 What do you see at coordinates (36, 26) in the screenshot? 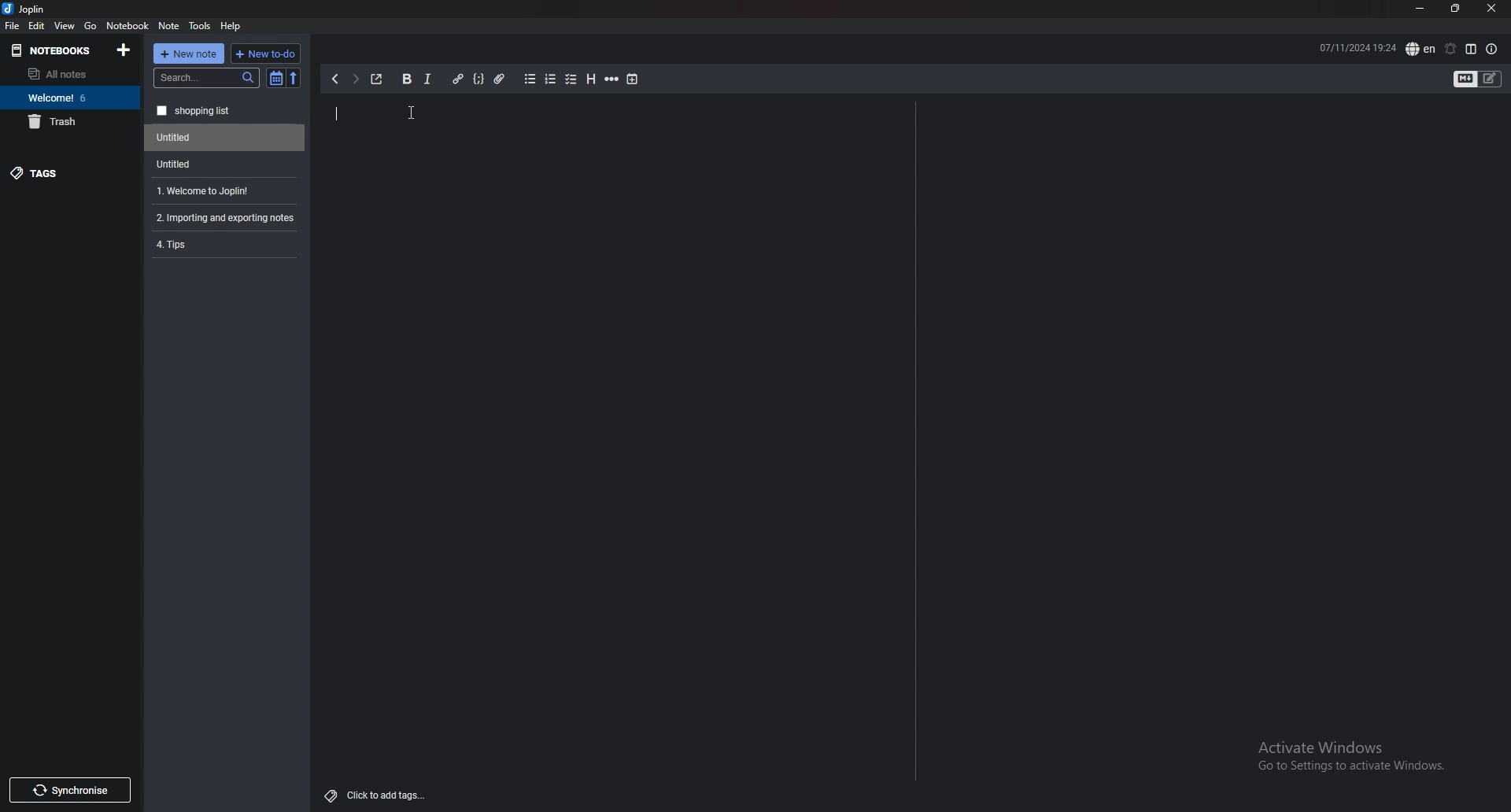
I see `edit` at bounding box center [36, 26].